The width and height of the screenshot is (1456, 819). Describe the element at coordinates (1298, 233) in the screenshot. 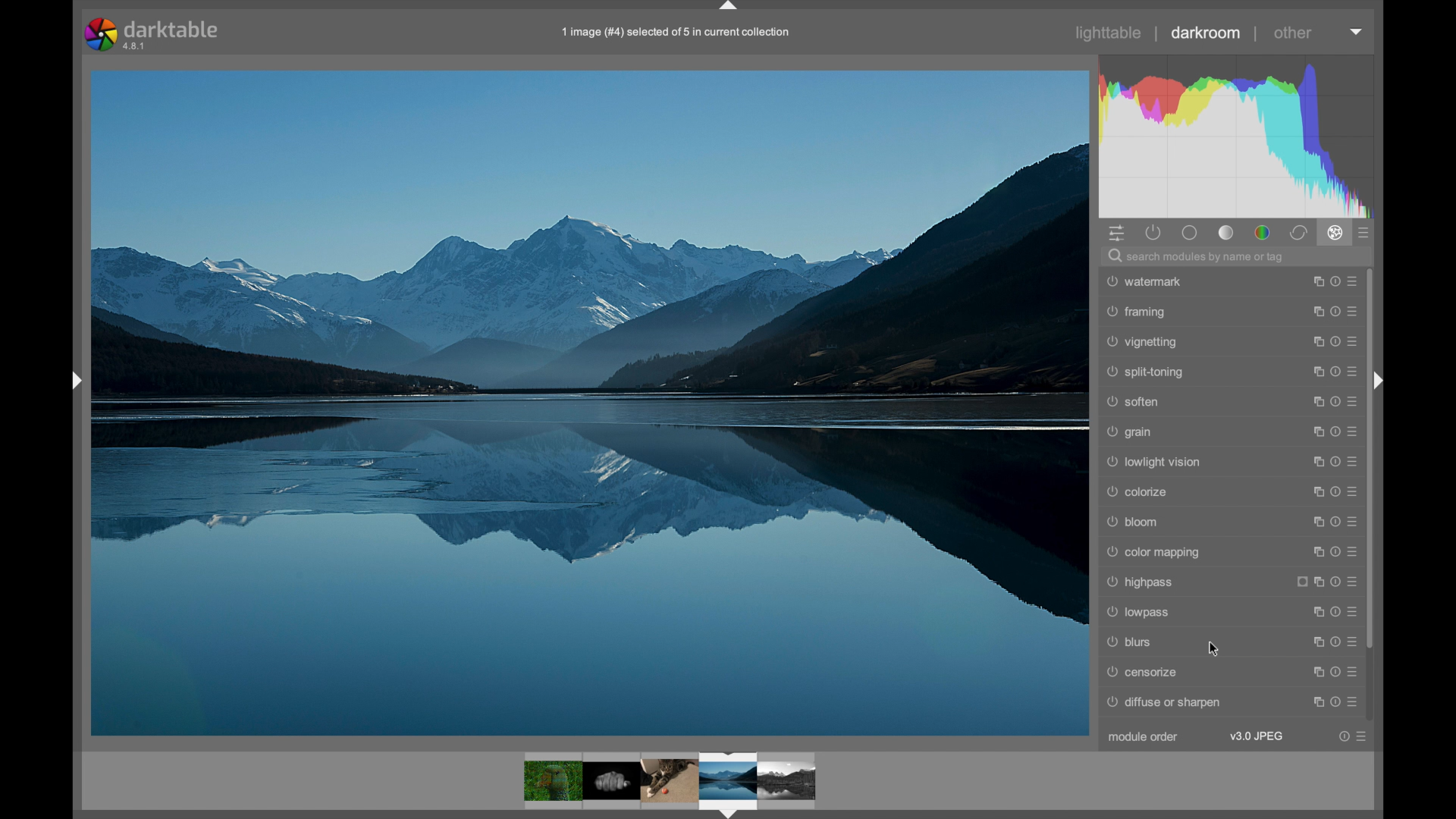

I see `correct` at that location.